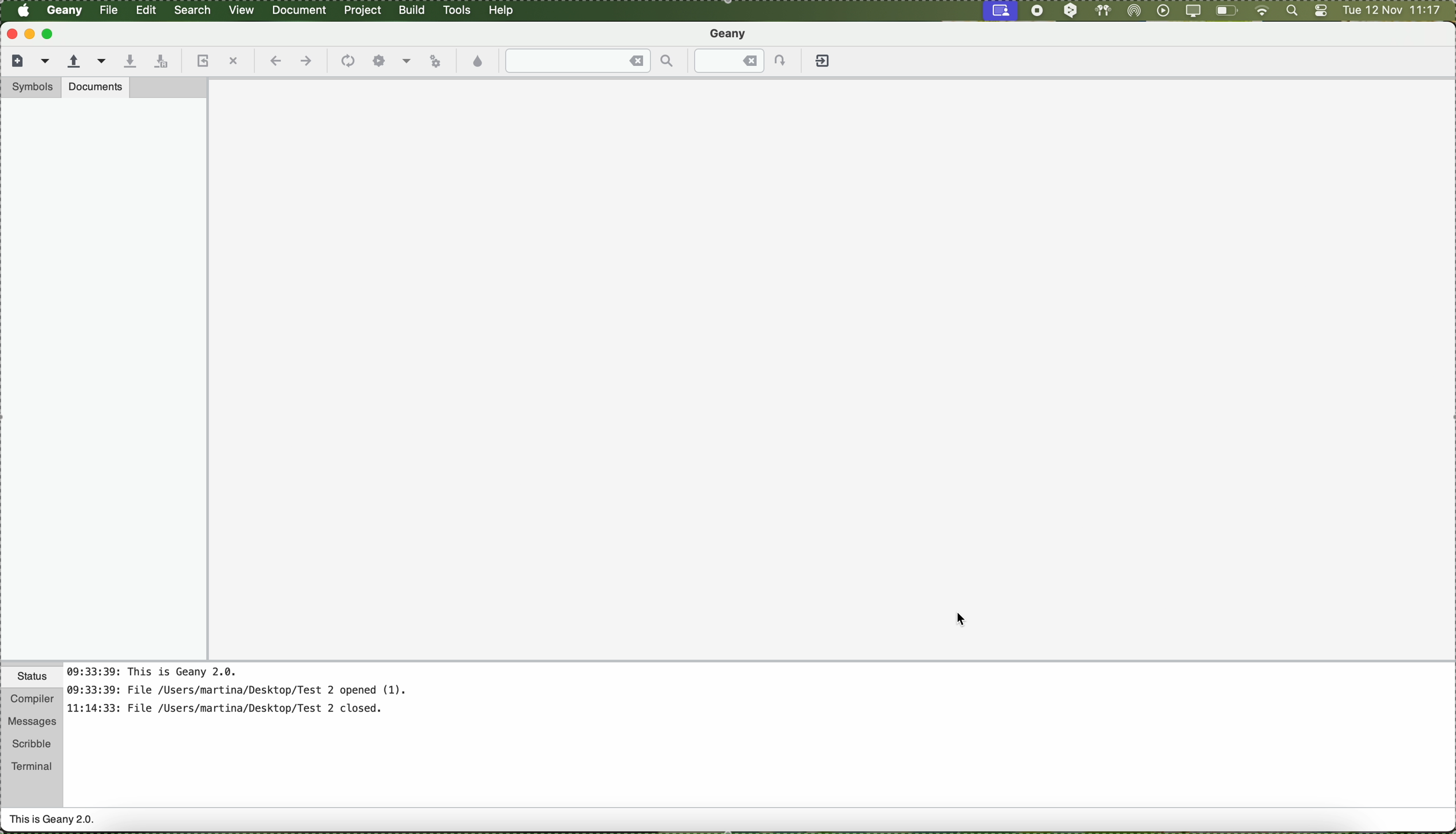 The width and height of the screenshot is (1456, 834). What do you see at coordinates (964, 619) in the screenshot?
I see `pointer` at bounding box center [964, 619].